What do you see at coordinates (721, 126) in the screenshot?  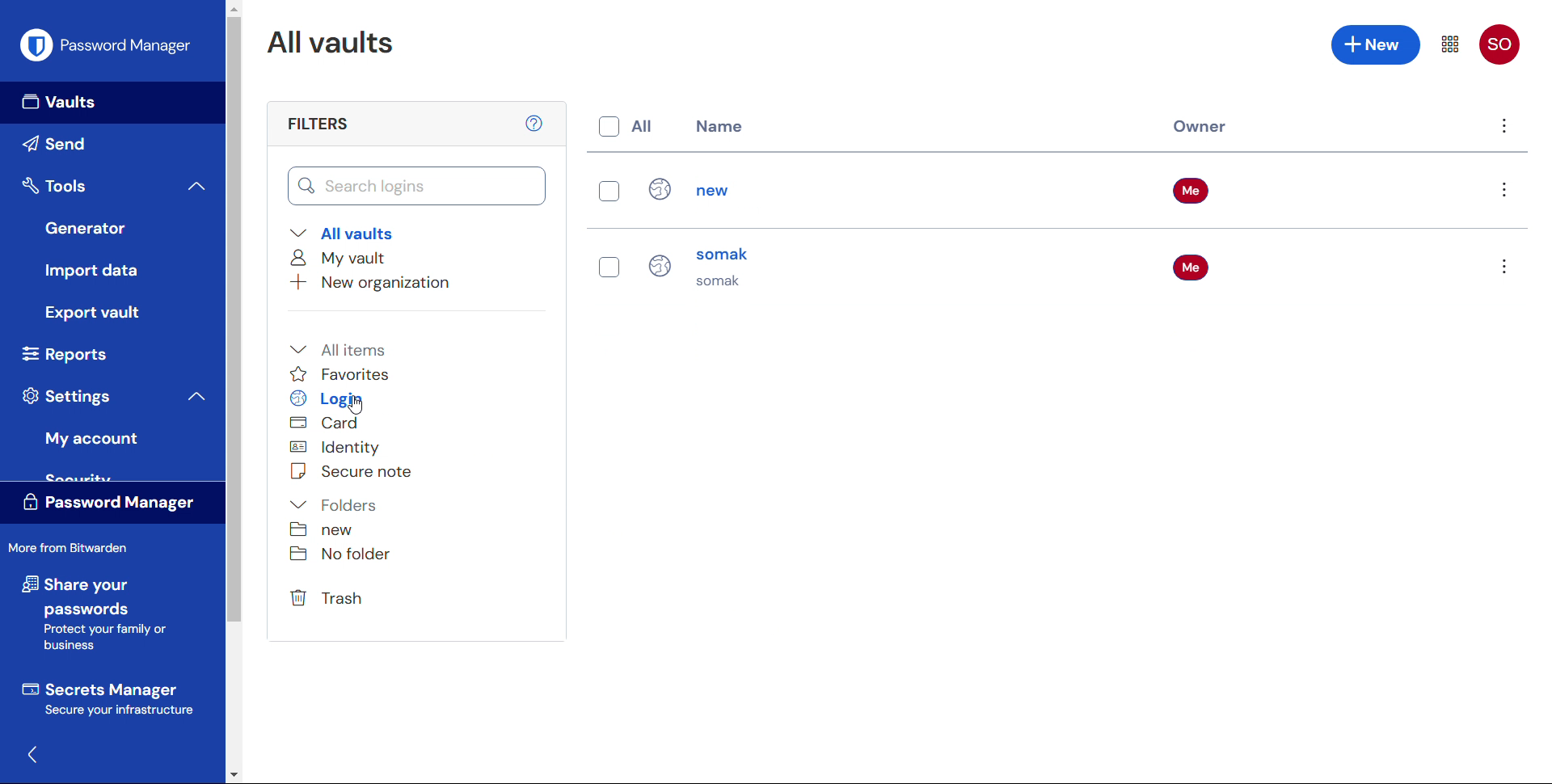 I see `name ` at bounding box center [721, 126].